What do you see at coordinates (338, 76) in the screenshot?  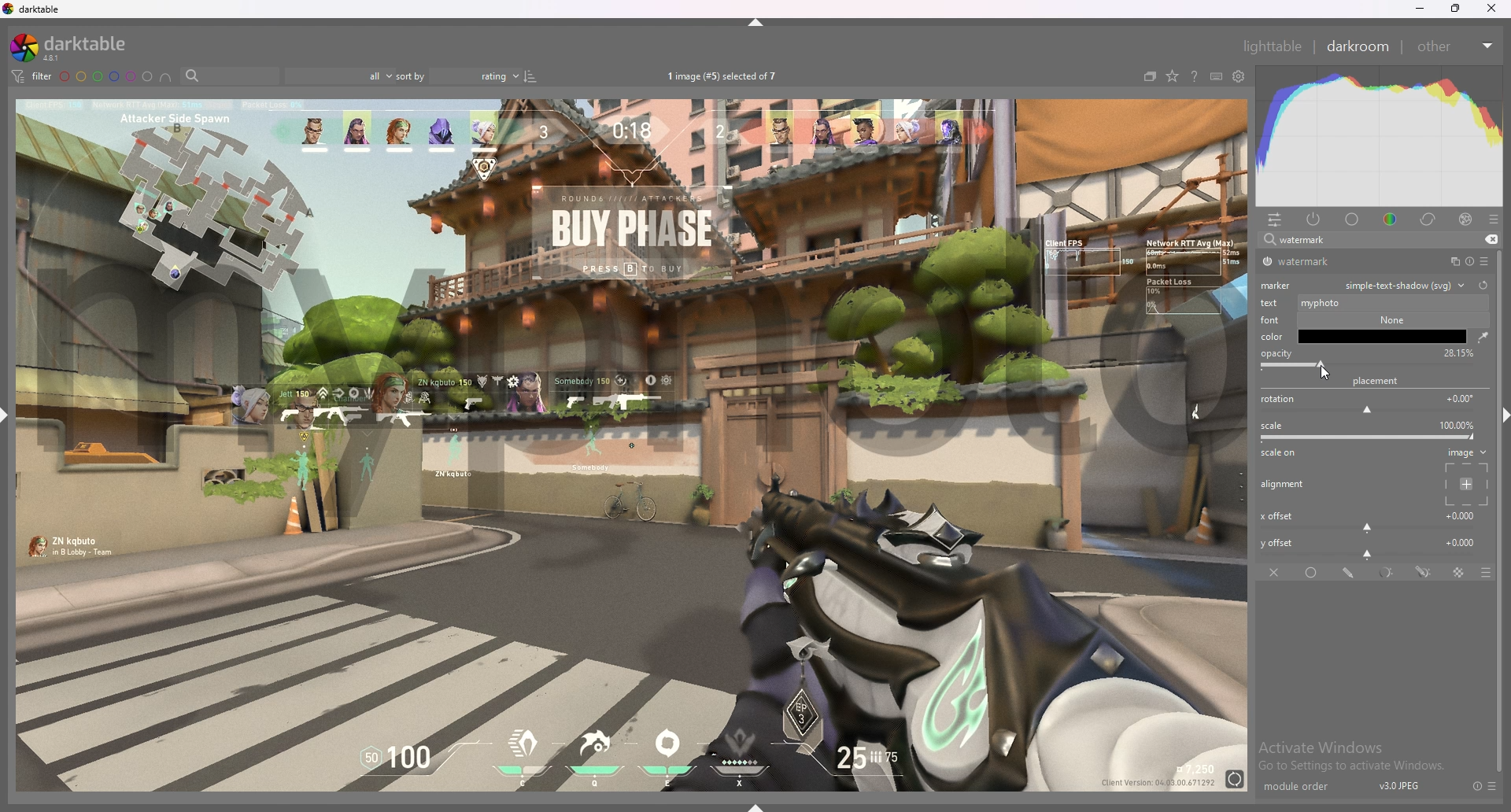 I see `filter by rating` at bounding box center [338, 76].